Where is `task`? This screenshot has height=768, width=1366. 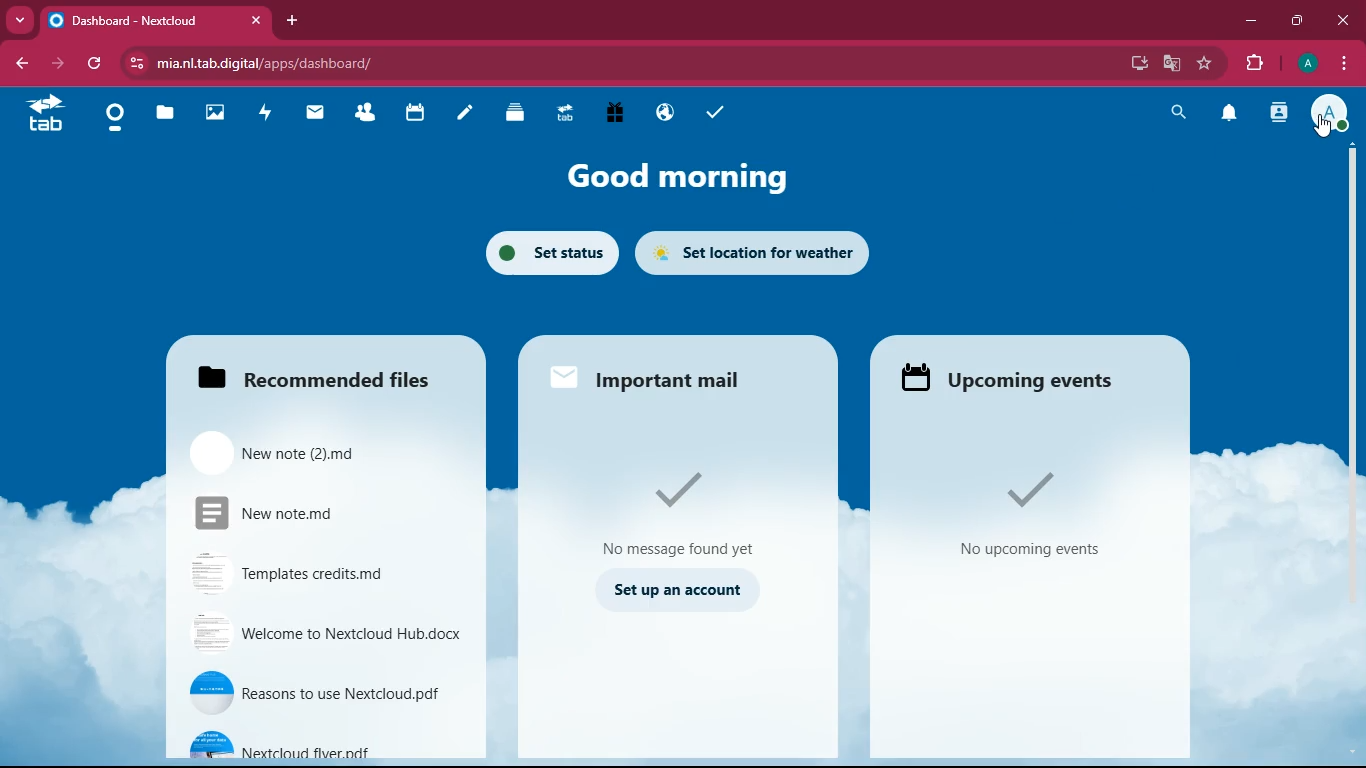 task is located at coordinates (720, 115).